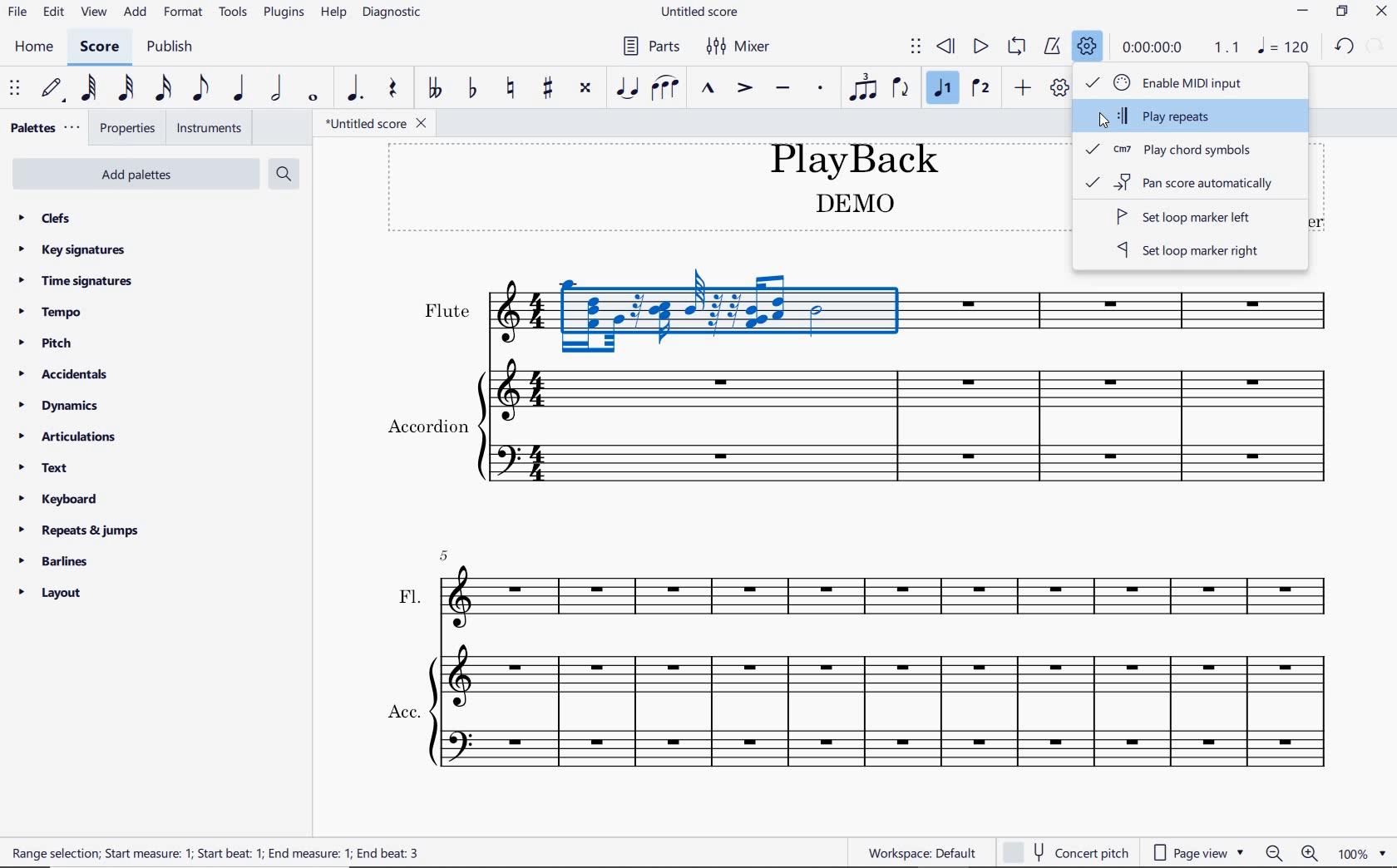 The height and width of the screenshot is (868, 1397). What do you see at coordinates (927, 851) in the screenshot?
I see `Workspace: Default` at bounding box center [927, 851].